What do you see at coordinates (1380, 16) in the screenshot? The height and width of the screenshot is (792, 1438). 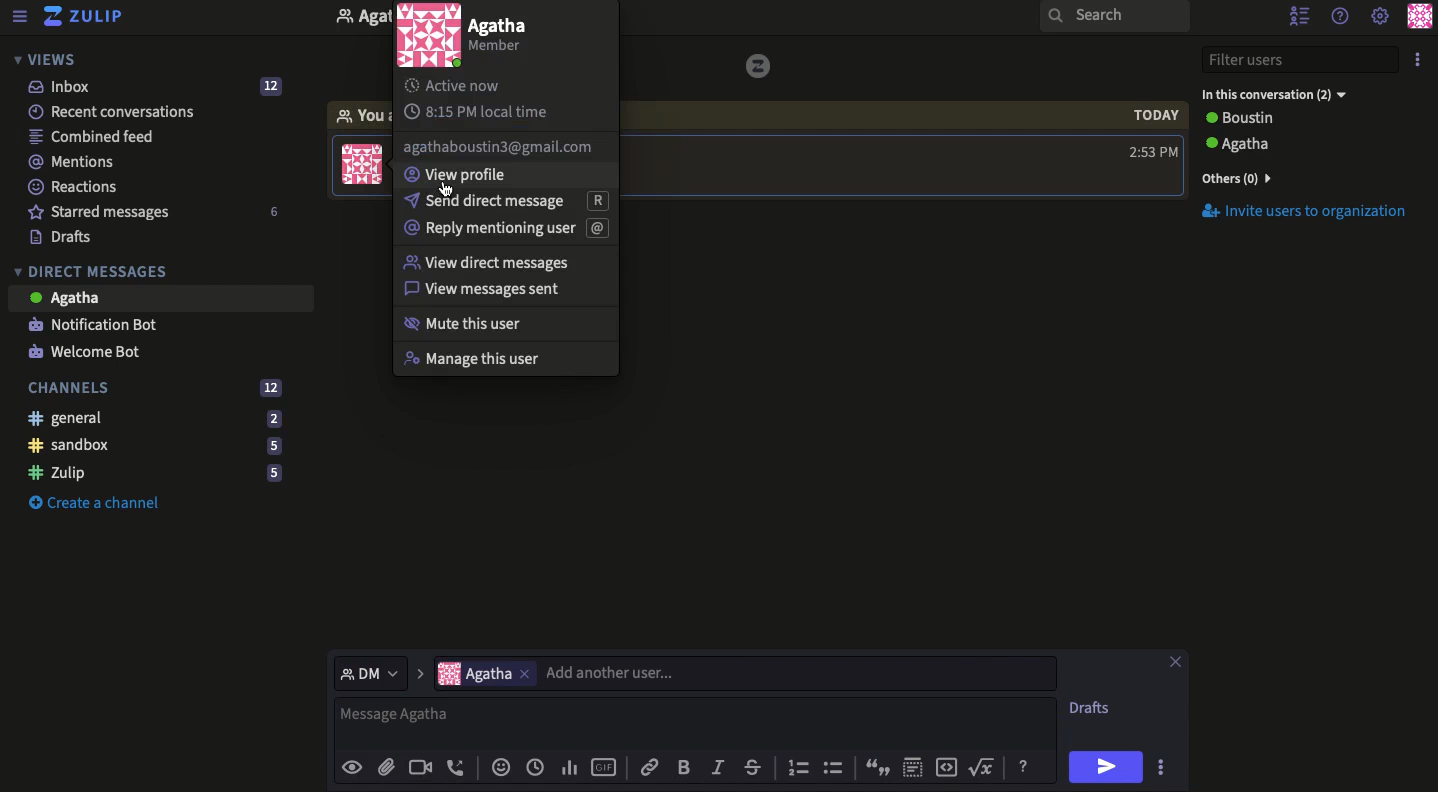 I see `Settings` at bounding box center [1380, 16].